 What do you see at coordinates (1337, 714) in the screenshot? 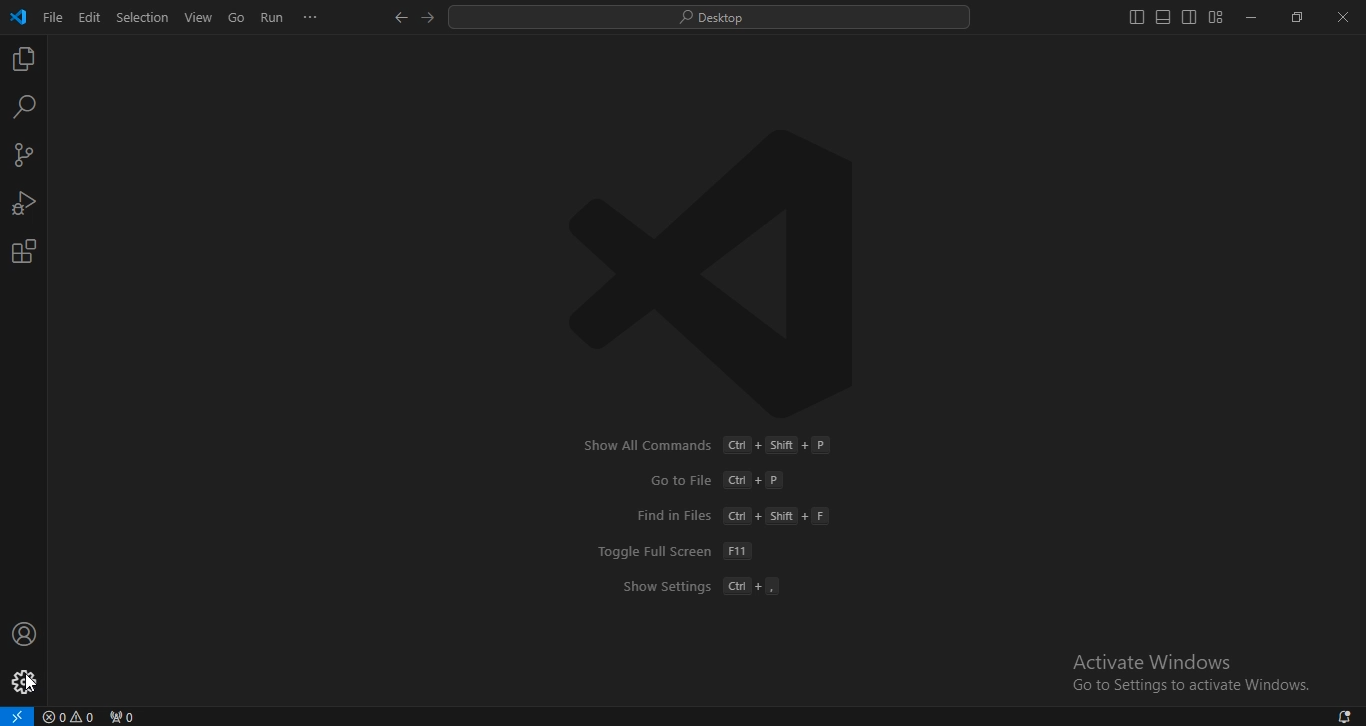
I see `1 new notification` at bounding box center [1337, 714].